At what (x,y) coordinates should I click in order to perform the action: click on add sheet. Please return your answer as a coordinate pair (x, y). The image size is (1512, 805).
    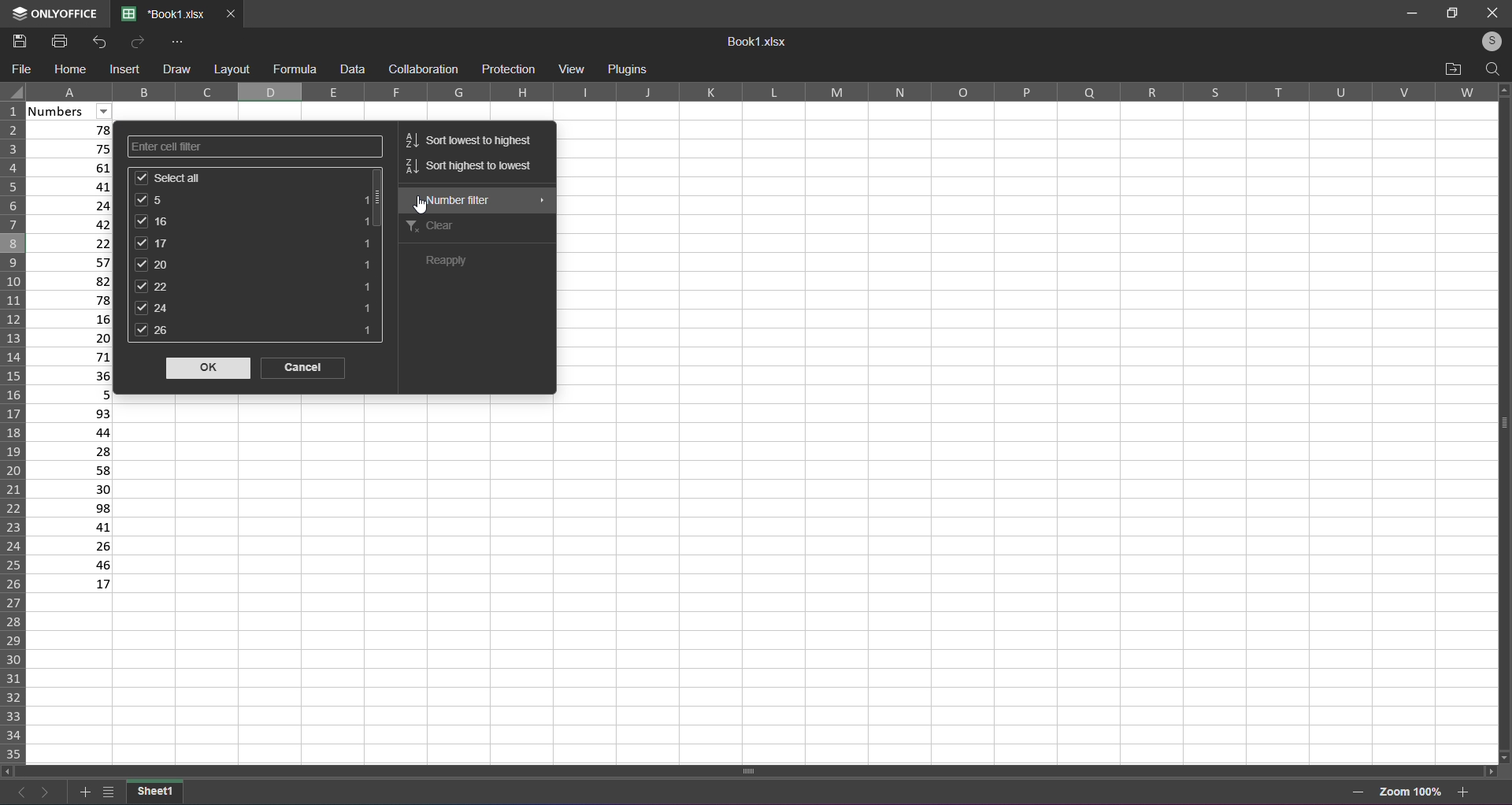
    Looking at the image, I should click on (82, 789).